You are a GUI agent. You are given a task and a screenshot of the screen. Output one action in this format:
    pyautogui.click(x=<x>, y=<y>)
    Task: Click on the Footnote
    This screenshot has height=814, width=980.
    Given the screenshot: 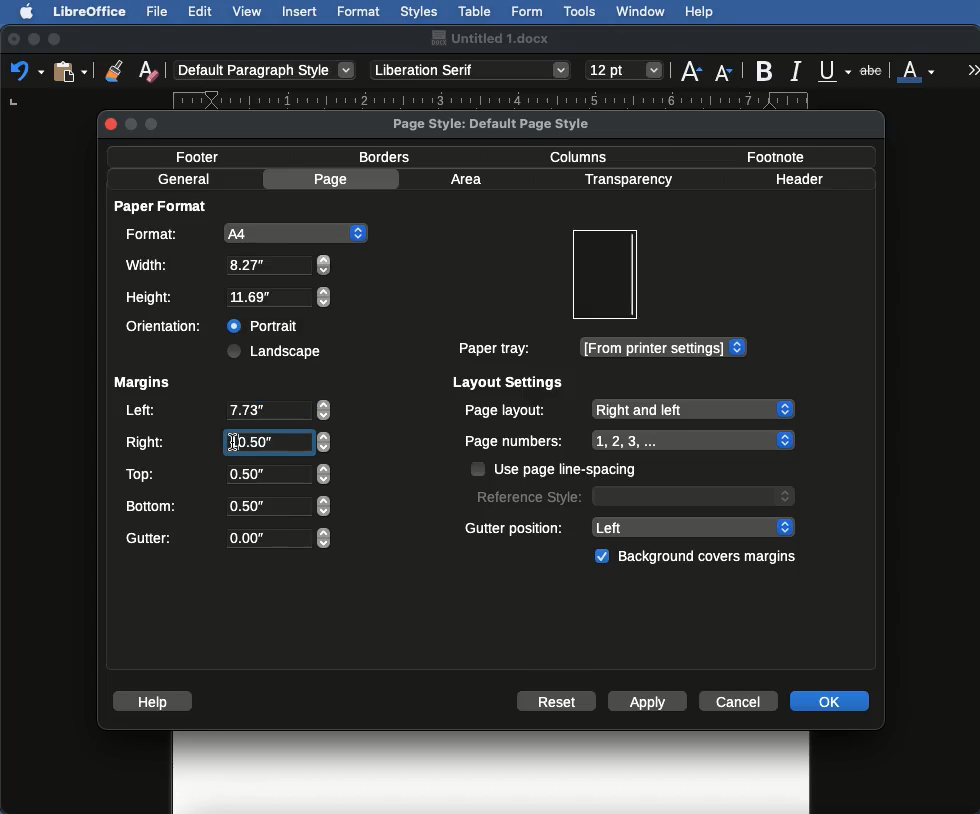 What is the action you would take?
    pyautogui.click(x=774, y=156)
    